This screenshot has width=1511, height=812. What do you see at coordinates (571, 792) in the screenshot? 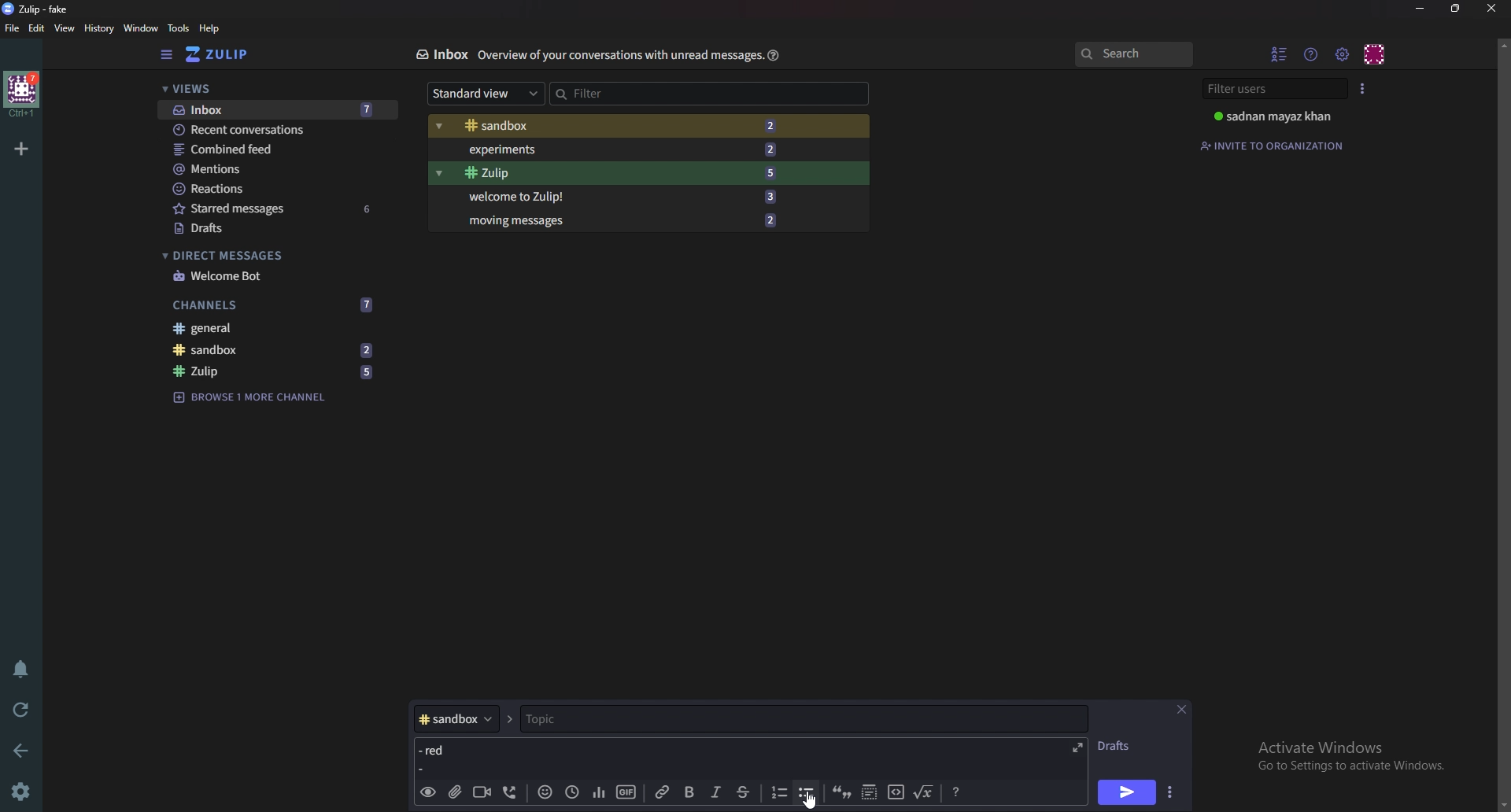
I see `Global time` at bounding box center [571, 792].